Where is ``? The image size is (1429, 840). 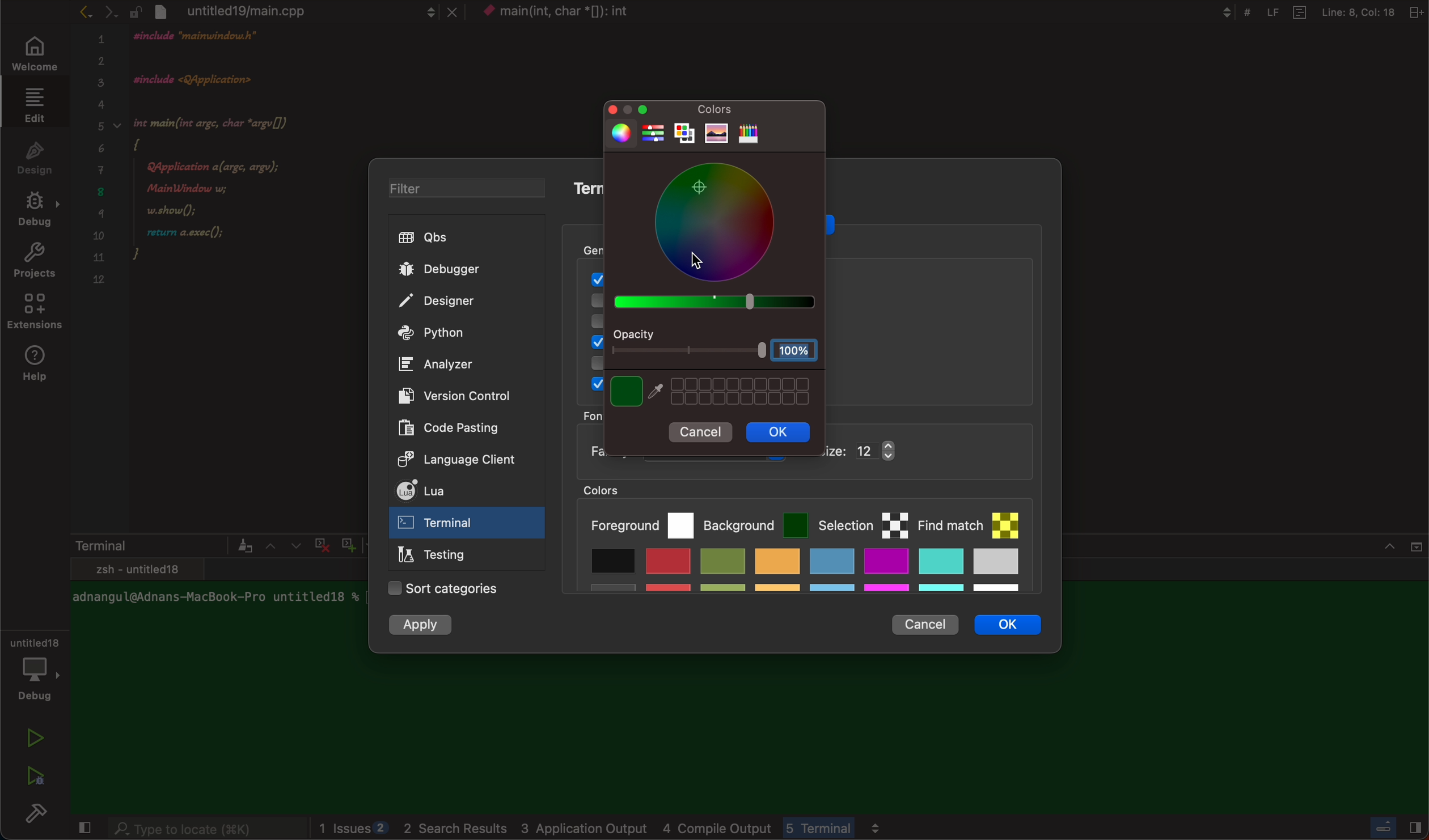
 is located at coordinates (576, 13).